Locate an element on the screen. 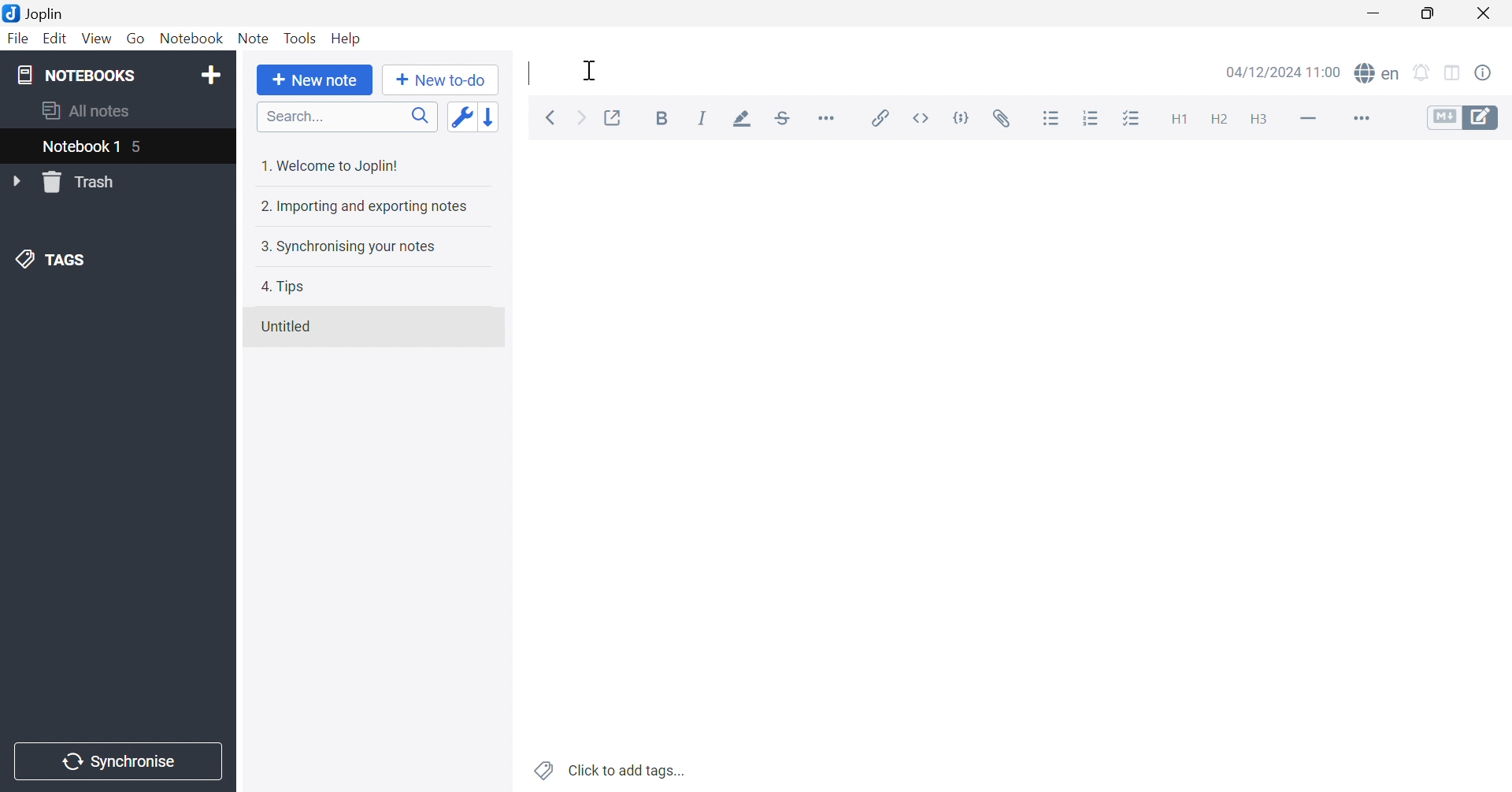 This screenshot has width=1512, height=792. Inline code is located at coordinates (919, 117).